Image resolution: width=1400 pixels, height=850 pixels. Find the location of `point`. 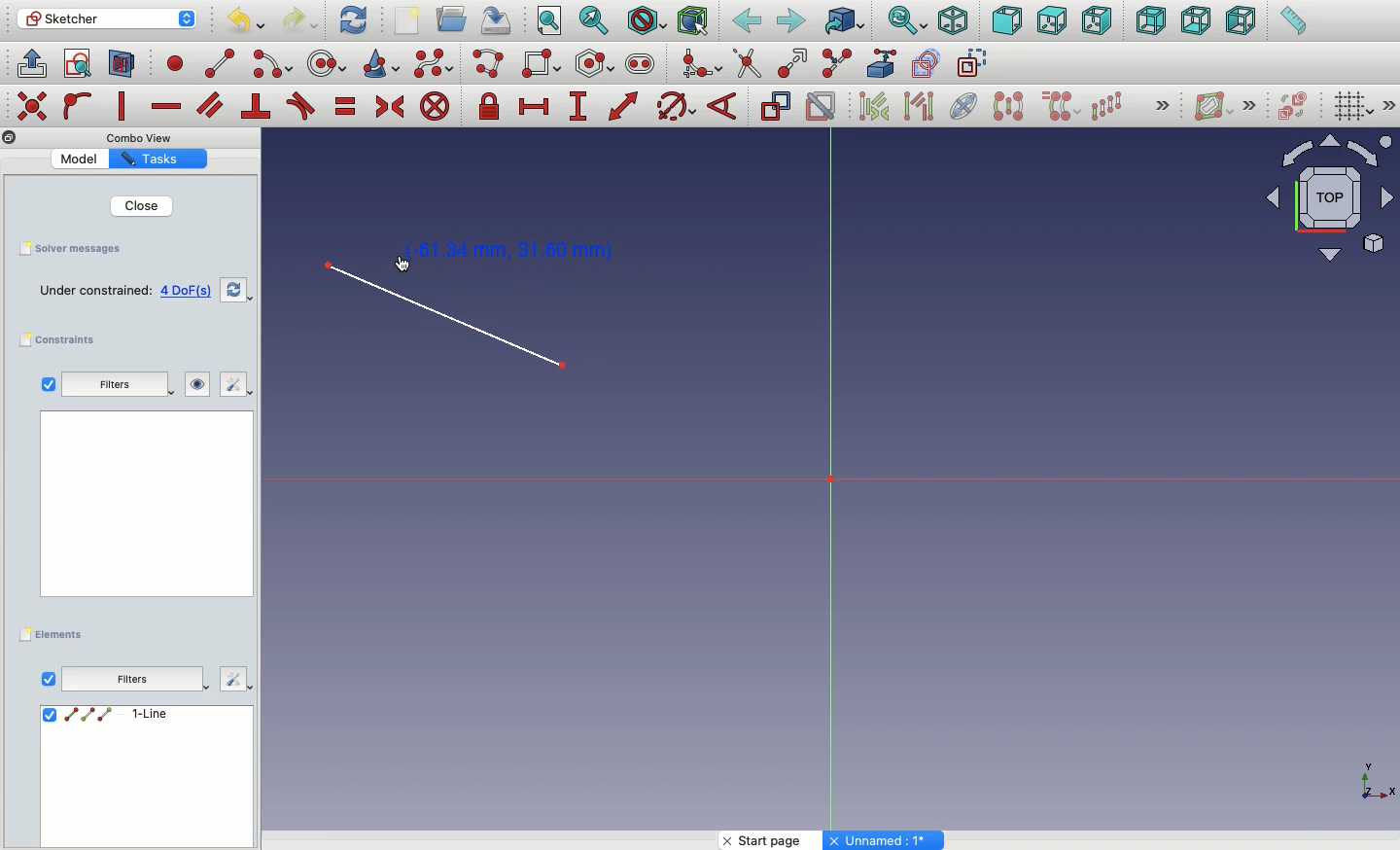

point is located at coordinates (177, 66).